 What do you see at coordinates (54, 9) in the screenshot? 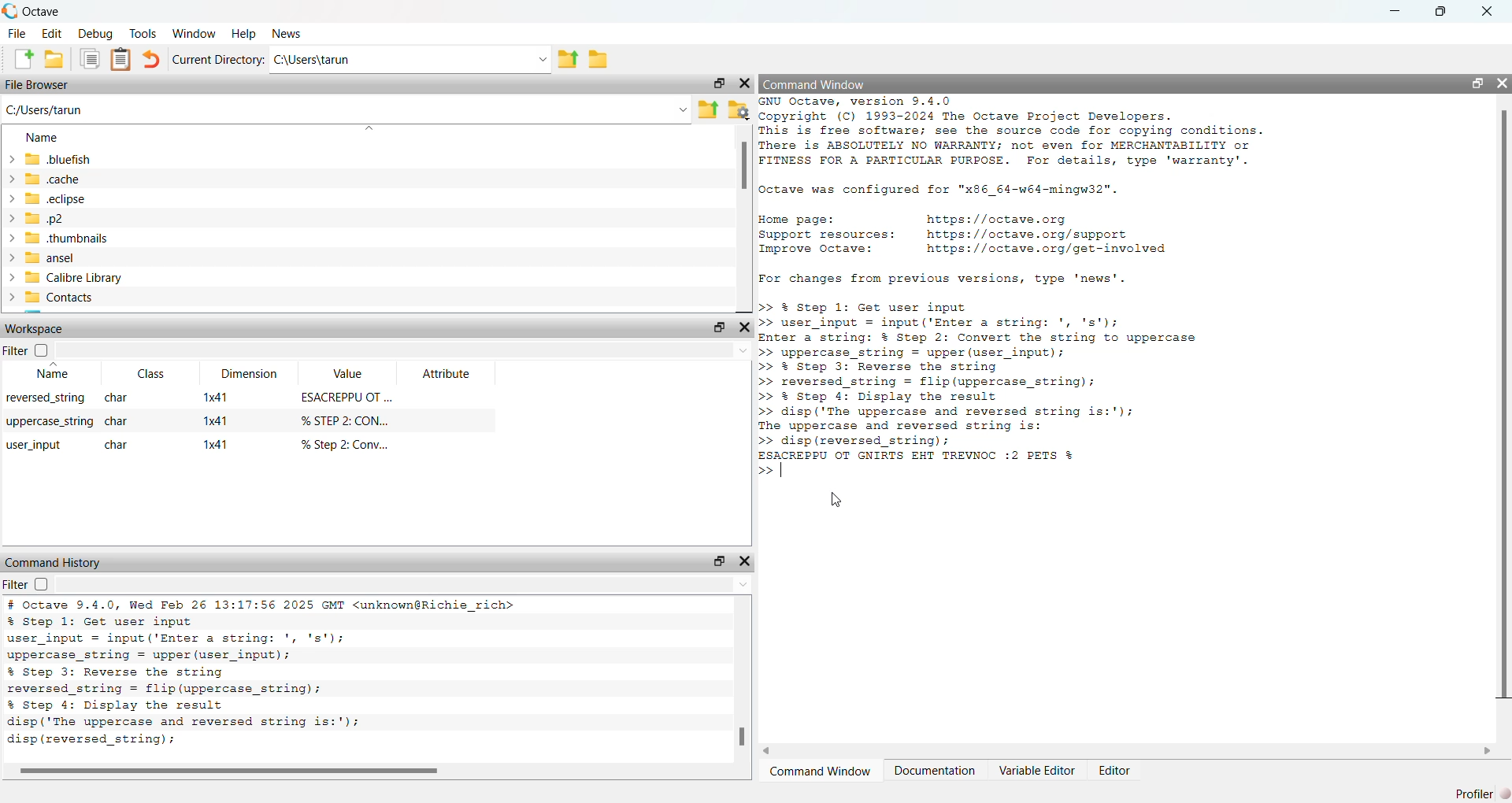
I see `octave` at bounding box center [54, 9].